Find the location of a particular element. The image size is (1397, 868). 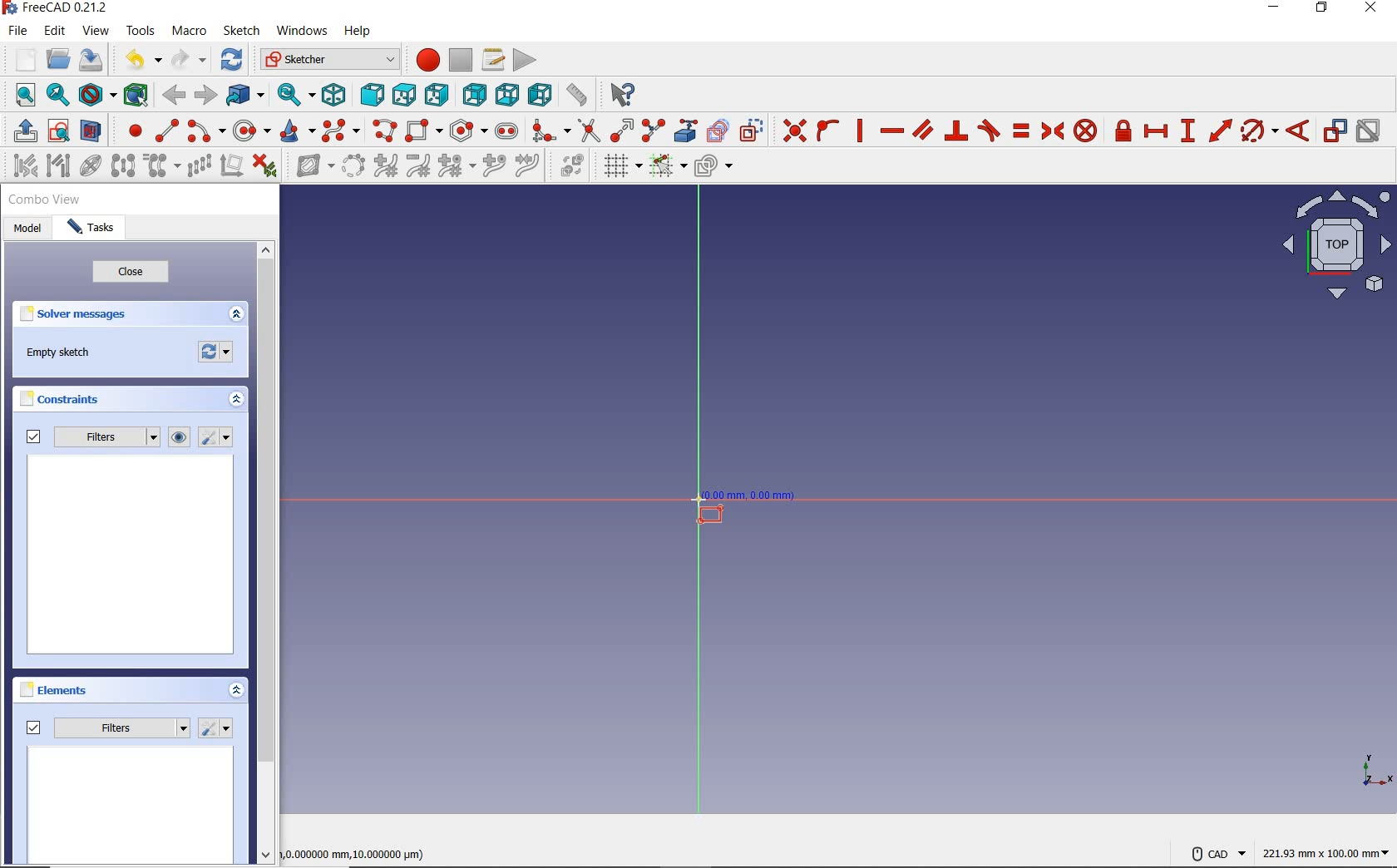

what's this? is located at coordinates (618, 96).